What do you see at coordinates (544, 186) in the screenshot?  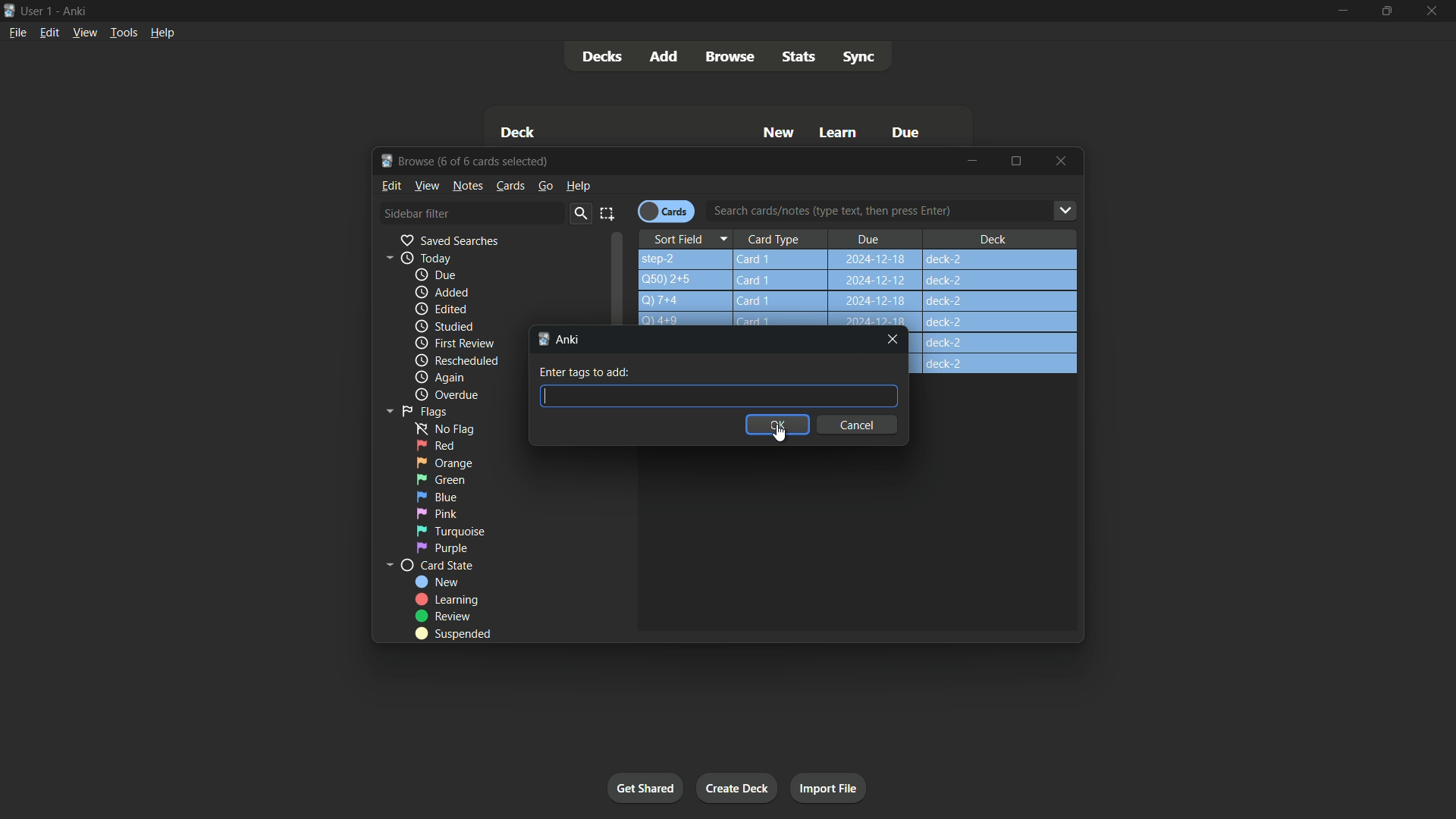 I see `go` at bounding box center [544, 186].